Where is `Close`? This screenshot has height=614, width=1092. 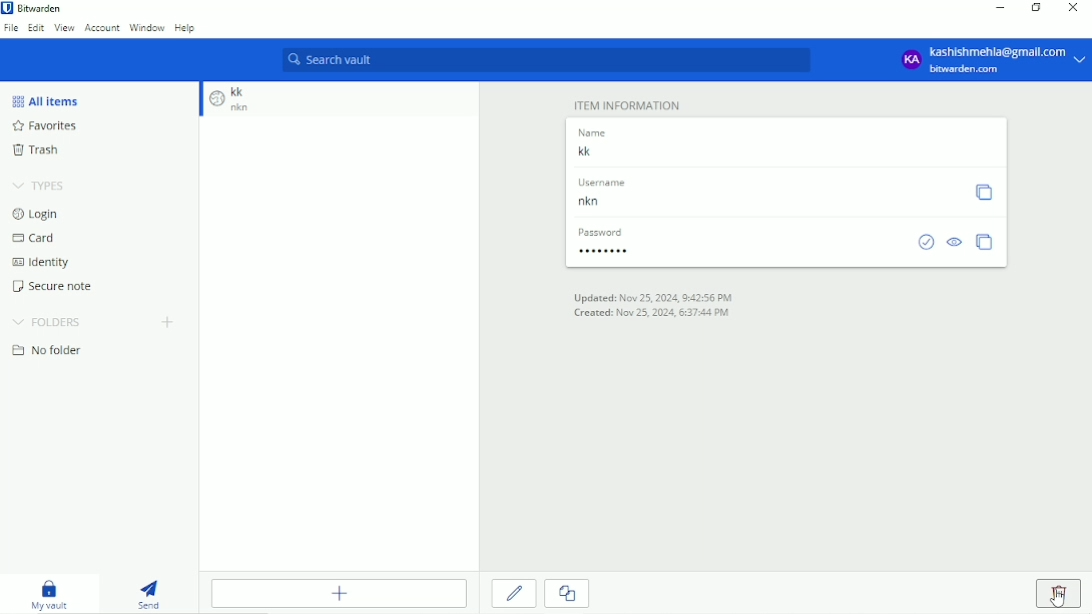 Close is located at coordinates (1072, 8).